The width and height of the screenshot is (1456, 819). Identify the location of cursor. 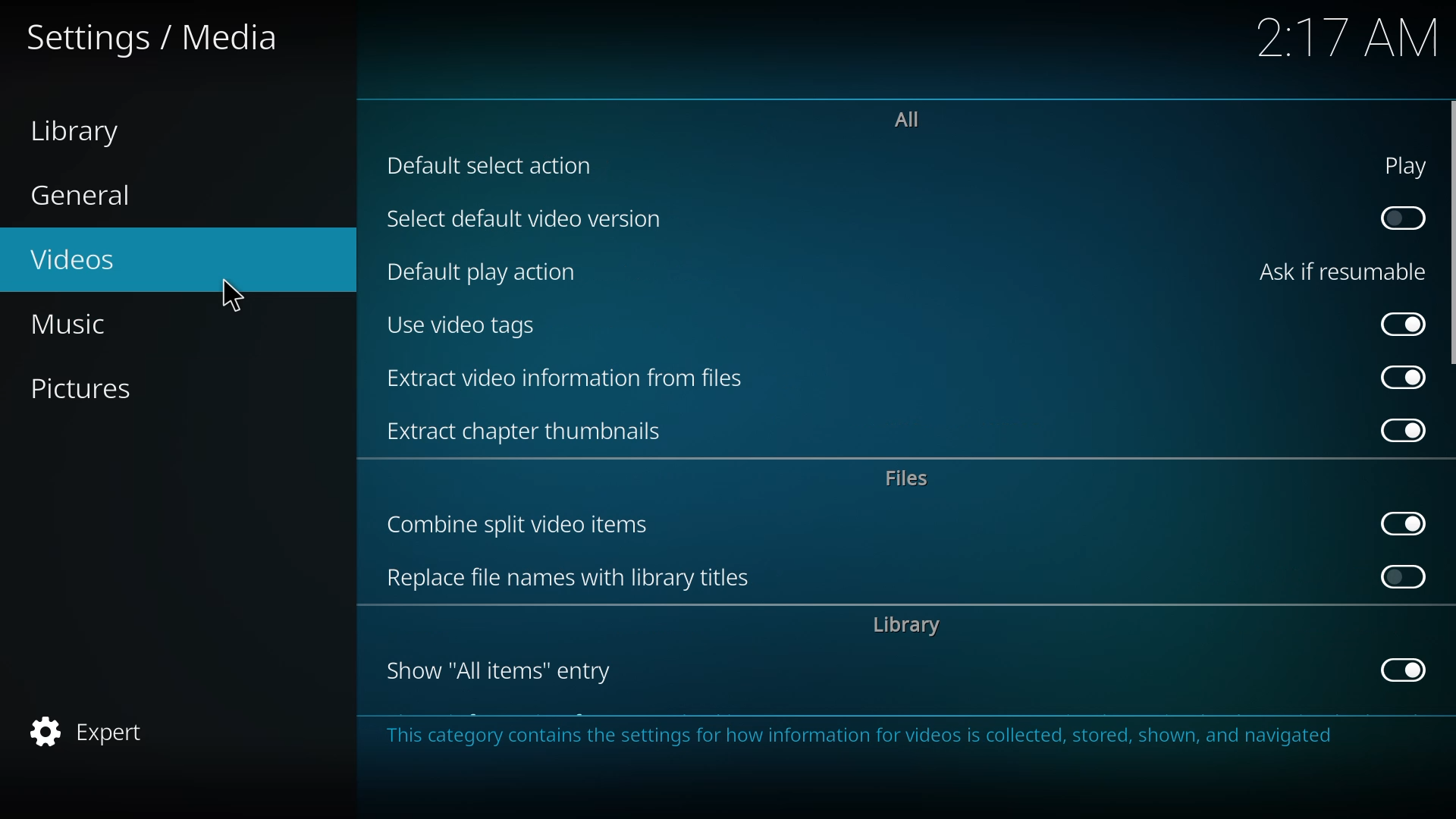
(235, 297).